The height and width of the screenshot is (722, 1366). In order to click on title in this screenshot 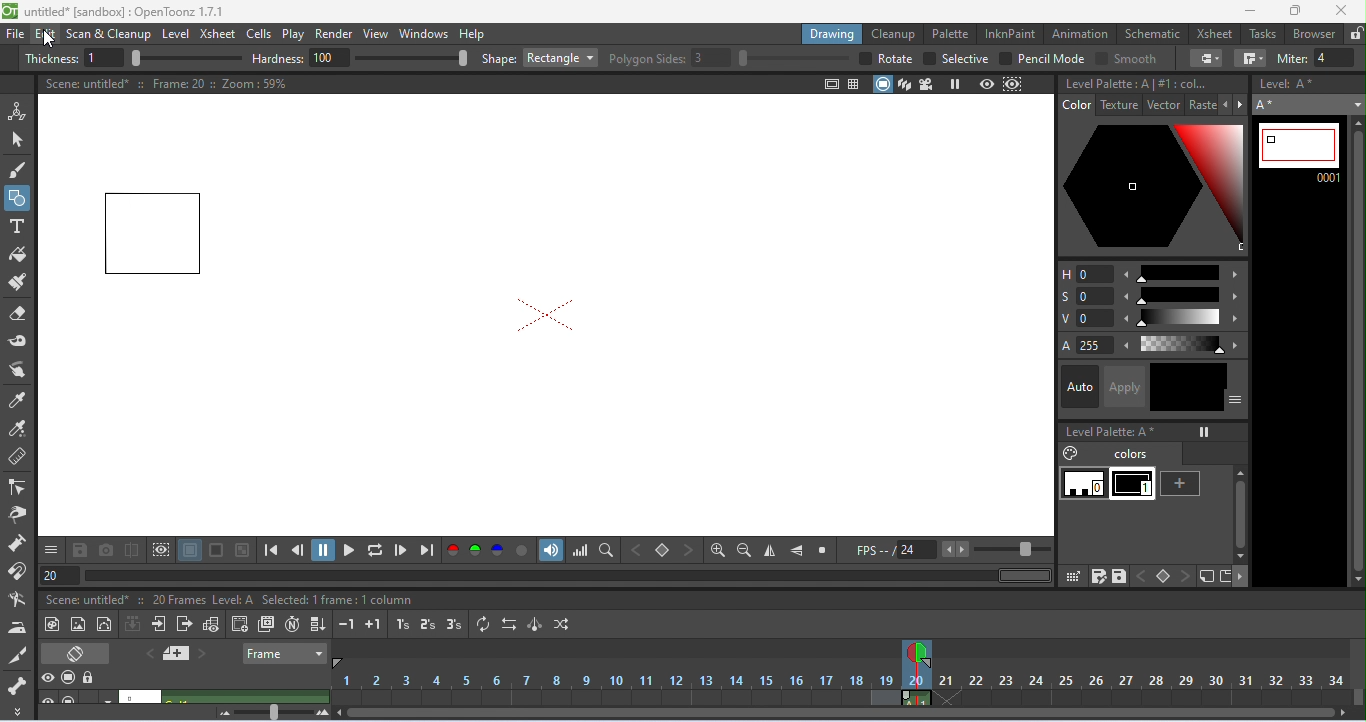, I will do `click(115, 10)`.